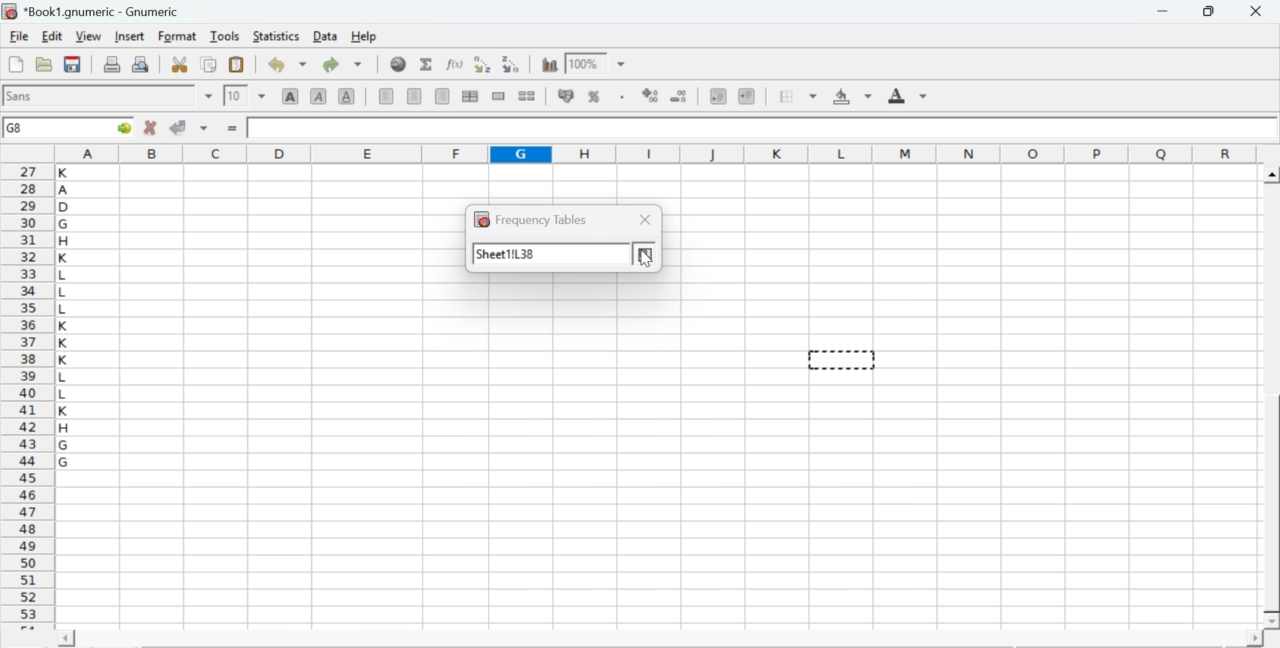 This screenshot has width=1280, height=648. What do you see at coordinates (327, 35) in the screenshot?
I see `data` at bounding box center [327, 35].